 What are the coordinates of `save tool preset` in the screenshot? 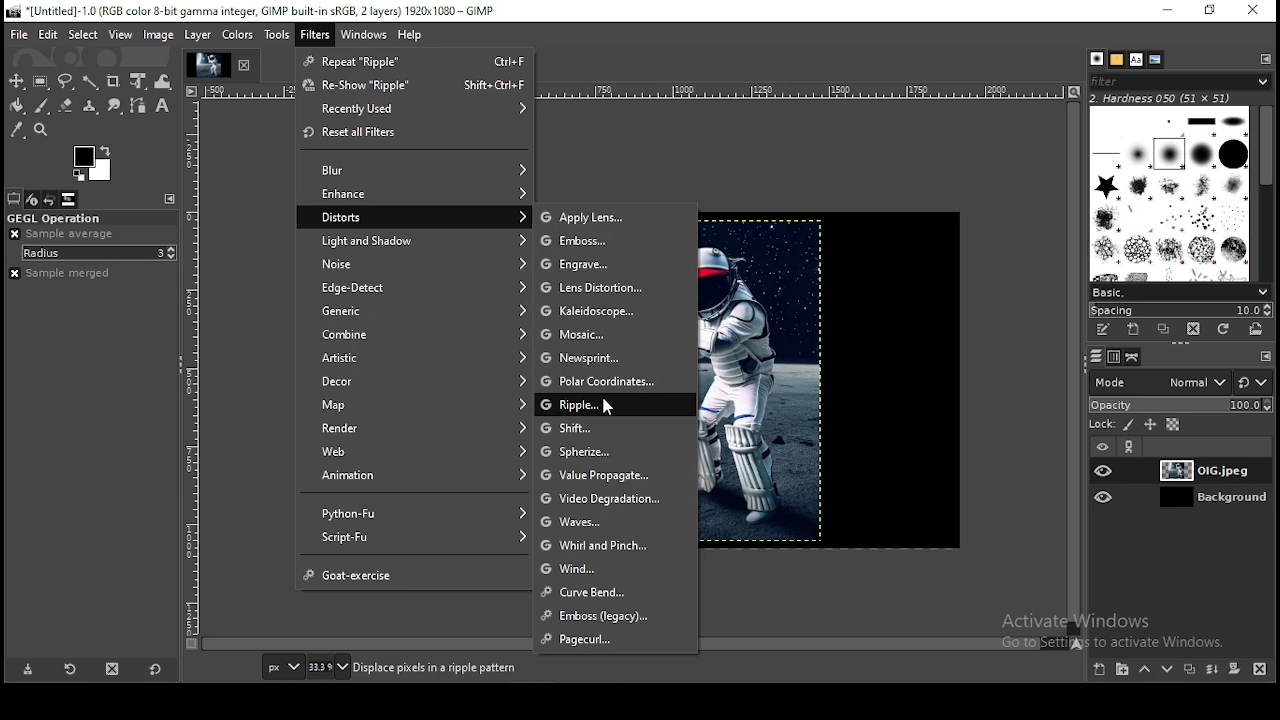 It's located at (30, 671).